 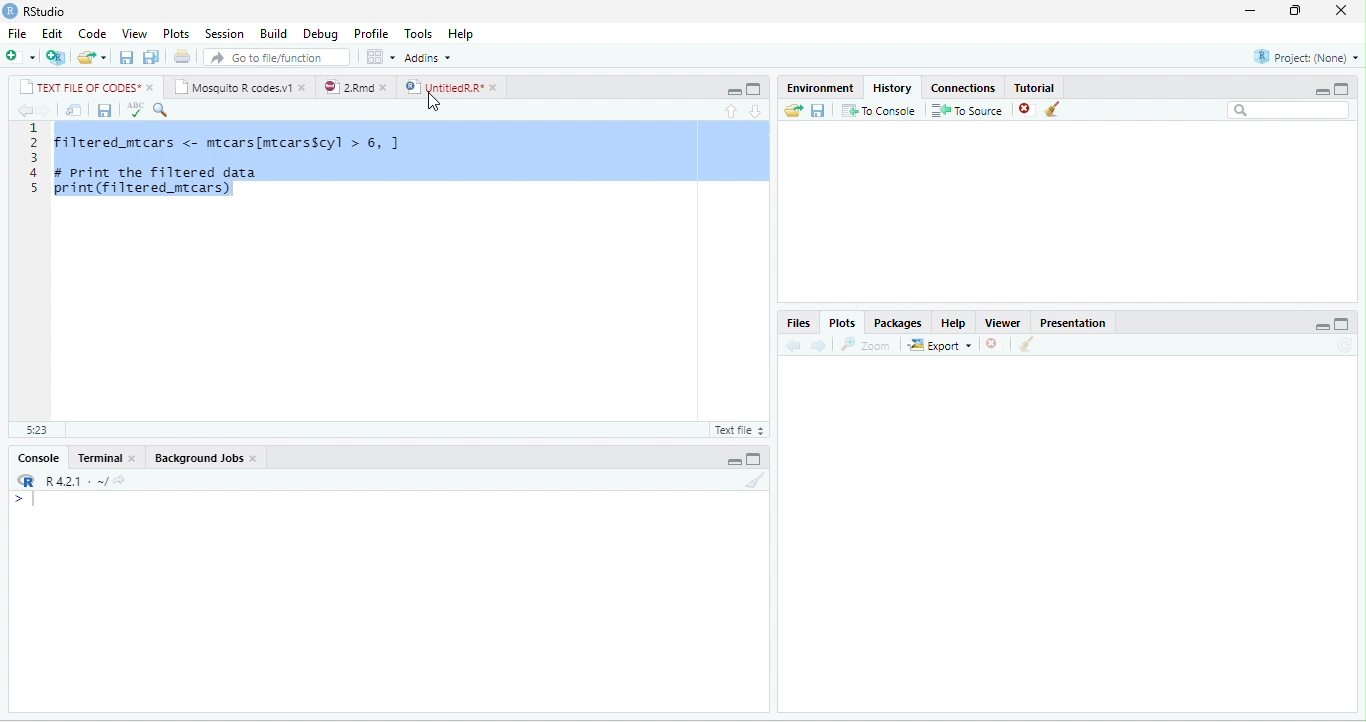 What do you see at coordinates (21, 56) in the screenshot?
I see `new file` at bounding box center [21, 56].